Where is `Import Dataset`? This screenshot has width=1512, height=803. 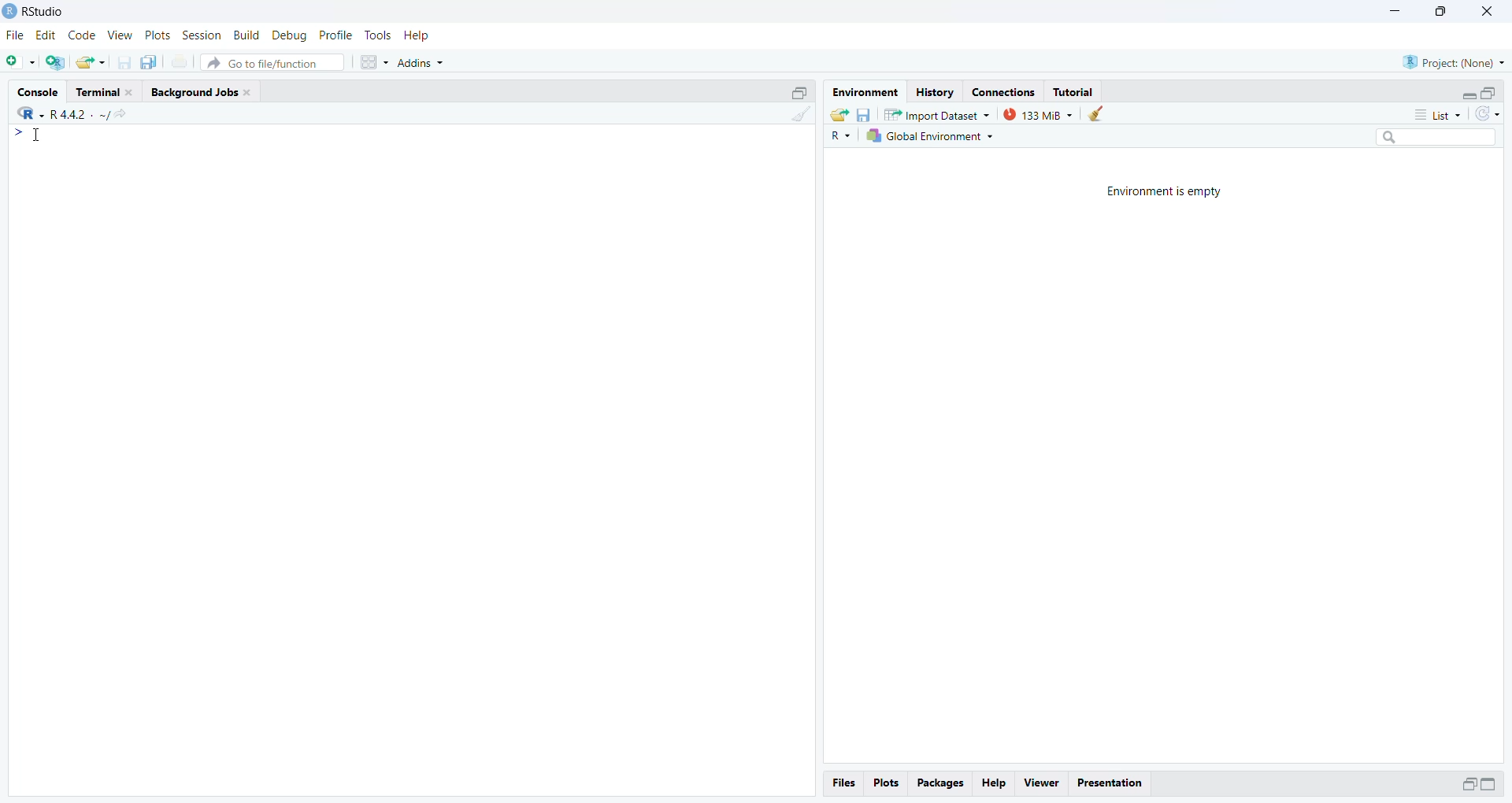 Import Dataset is located at coordinates (939, 117).